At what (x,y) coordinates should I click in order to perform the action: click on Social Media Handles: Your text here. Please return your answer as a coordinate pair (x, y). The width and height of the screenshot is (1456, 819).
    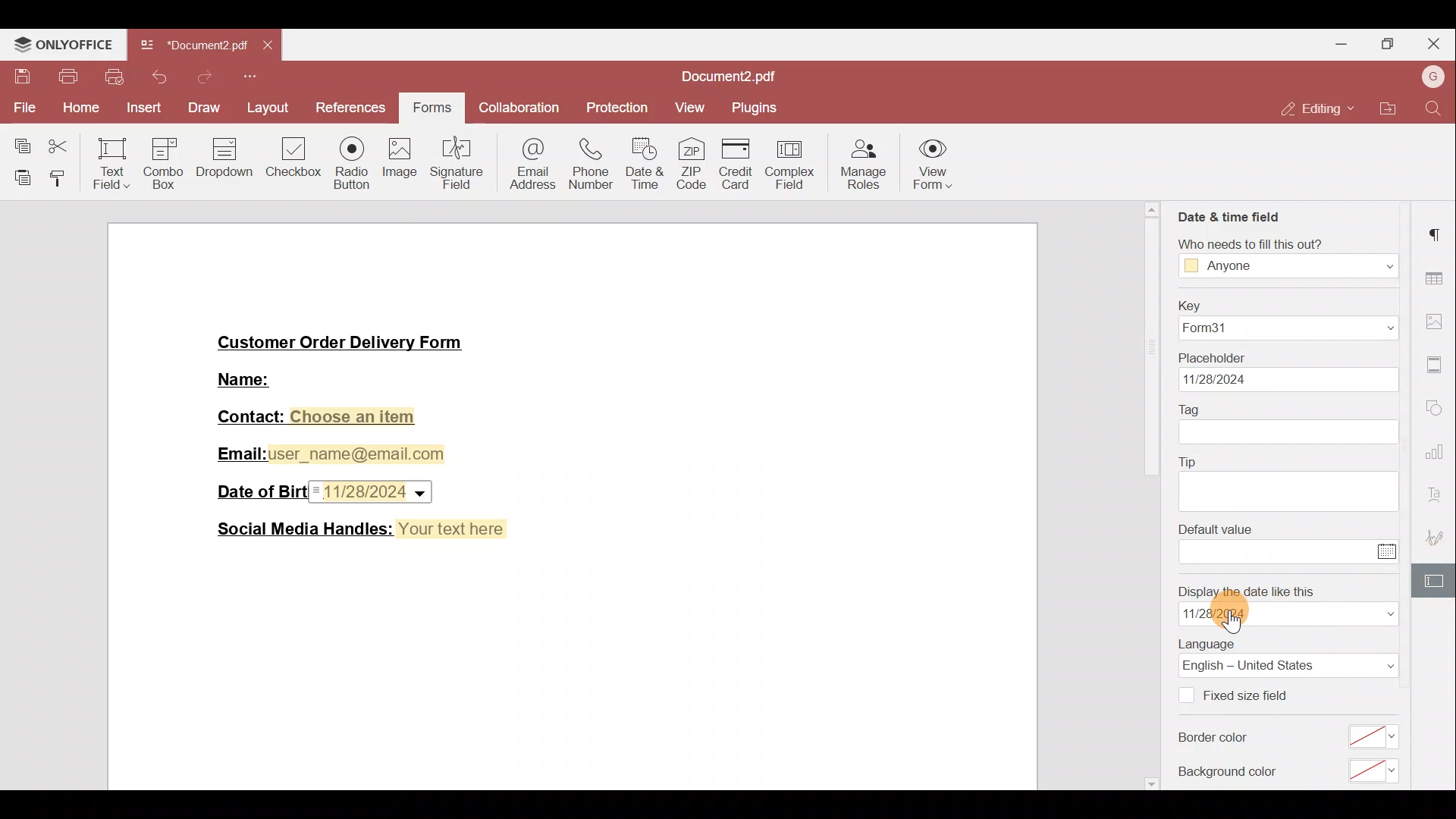
    Looking at the image, I should click on (362, 528).